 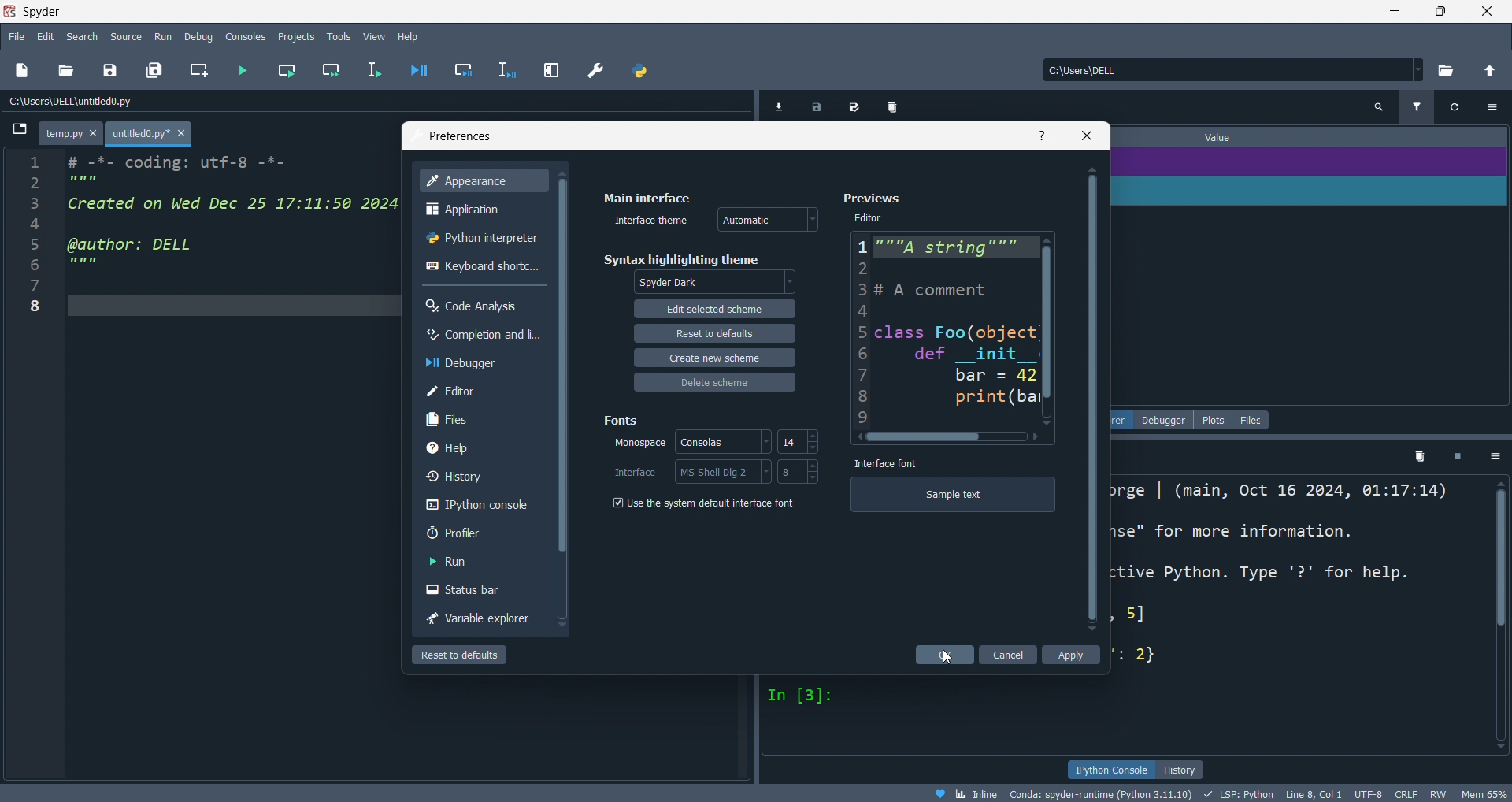 What do you see at coordinates (684, 470) in the screenshot?
I see `interface: MS Shell Dlg 2` at bounding box center [684, 470].